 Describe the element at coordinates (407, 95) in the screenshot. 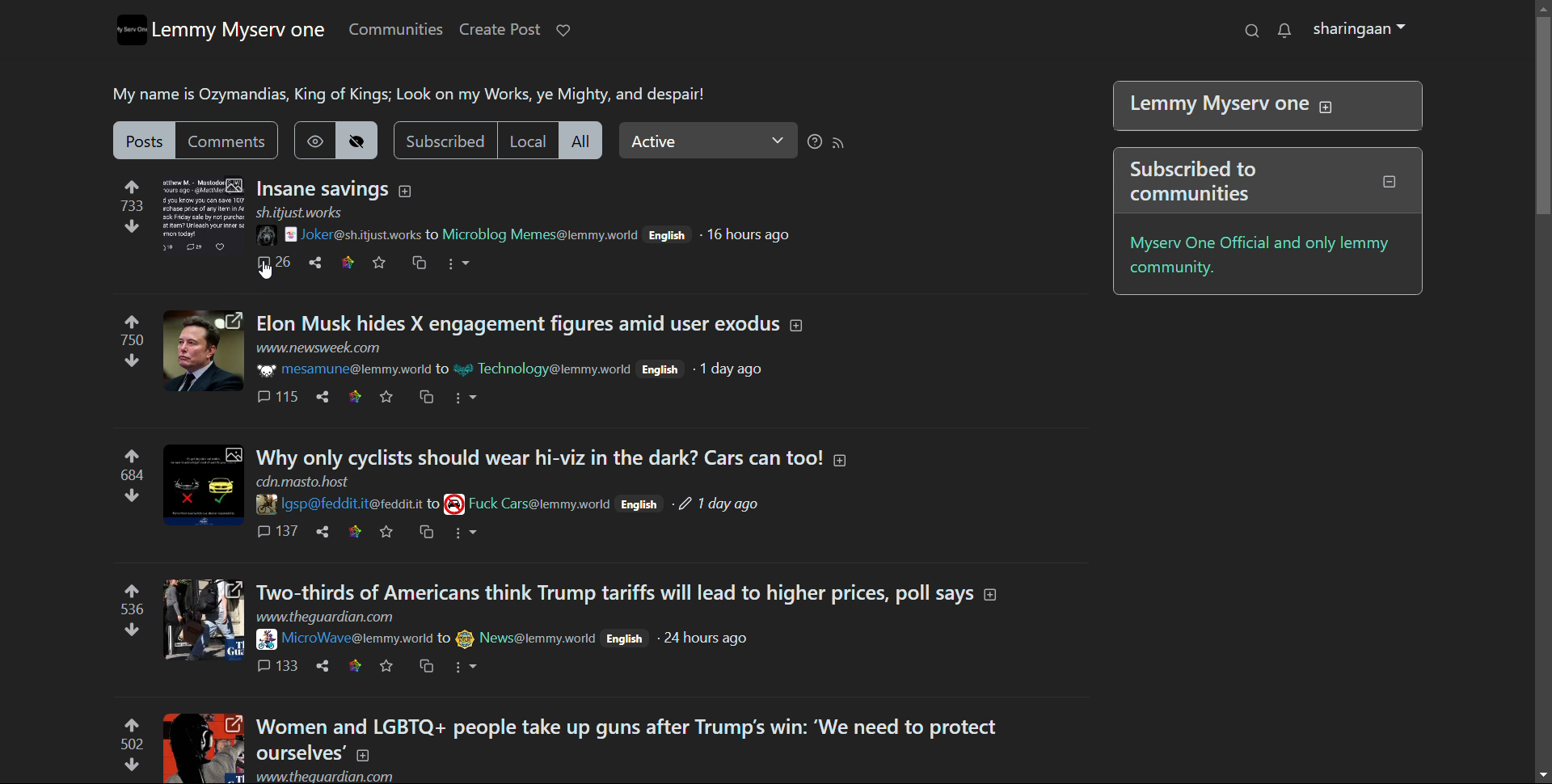

I see `My name is Ozymandias, King of Kings; Look on my Works, ye Mighty, and despair!` at that location.